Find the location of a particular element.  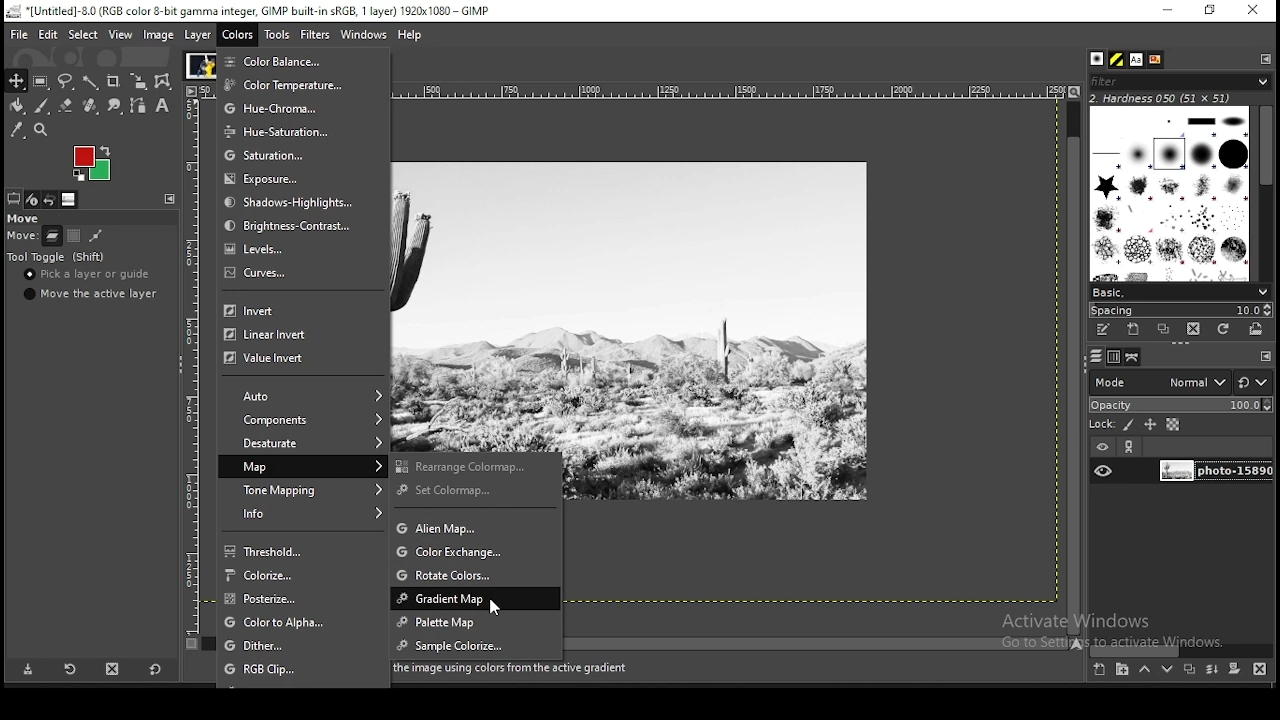

select is located at coordinates (84, 35).